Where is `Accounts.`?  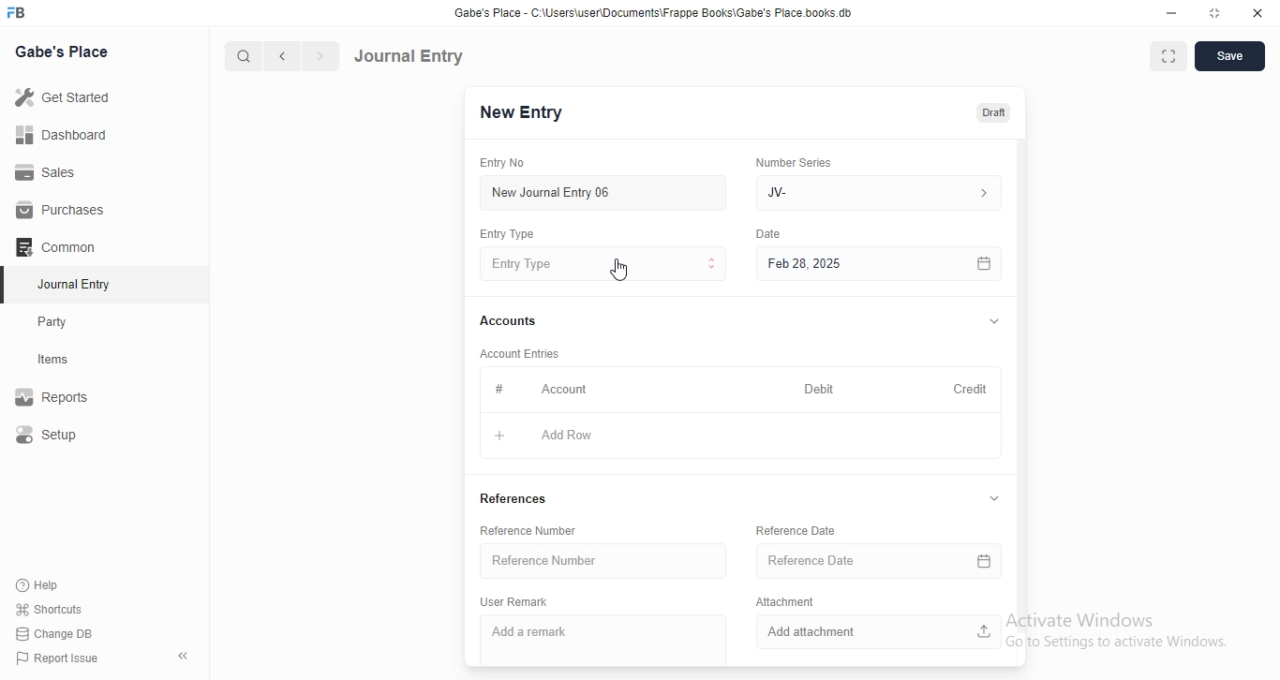
Accounts. is located at coordinates (518, 322).